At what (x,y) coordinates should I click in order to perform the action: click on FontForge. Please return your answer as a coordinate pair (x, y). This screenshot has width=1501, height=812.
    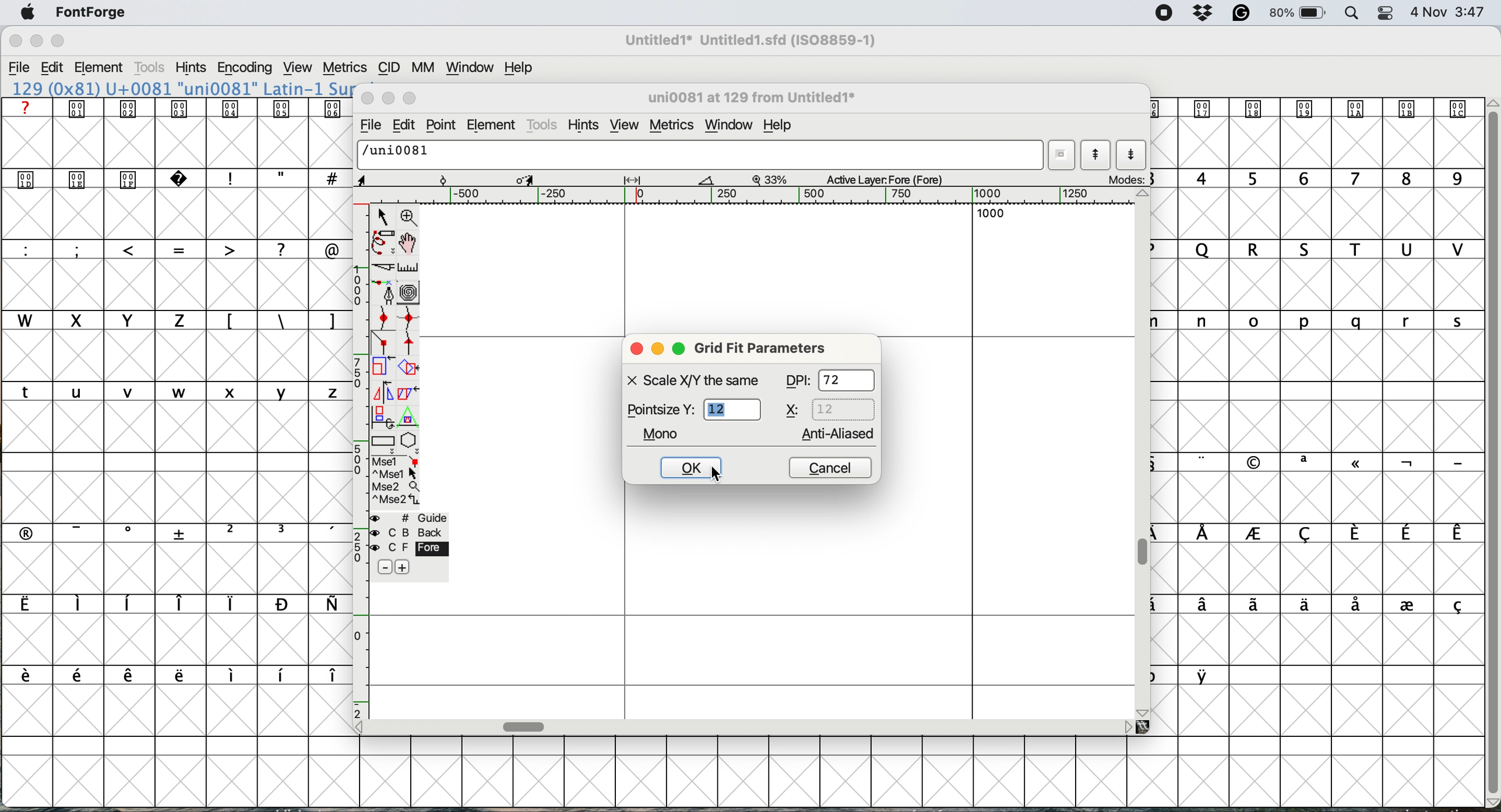
    Looking at the image, I should click on (91, 16).